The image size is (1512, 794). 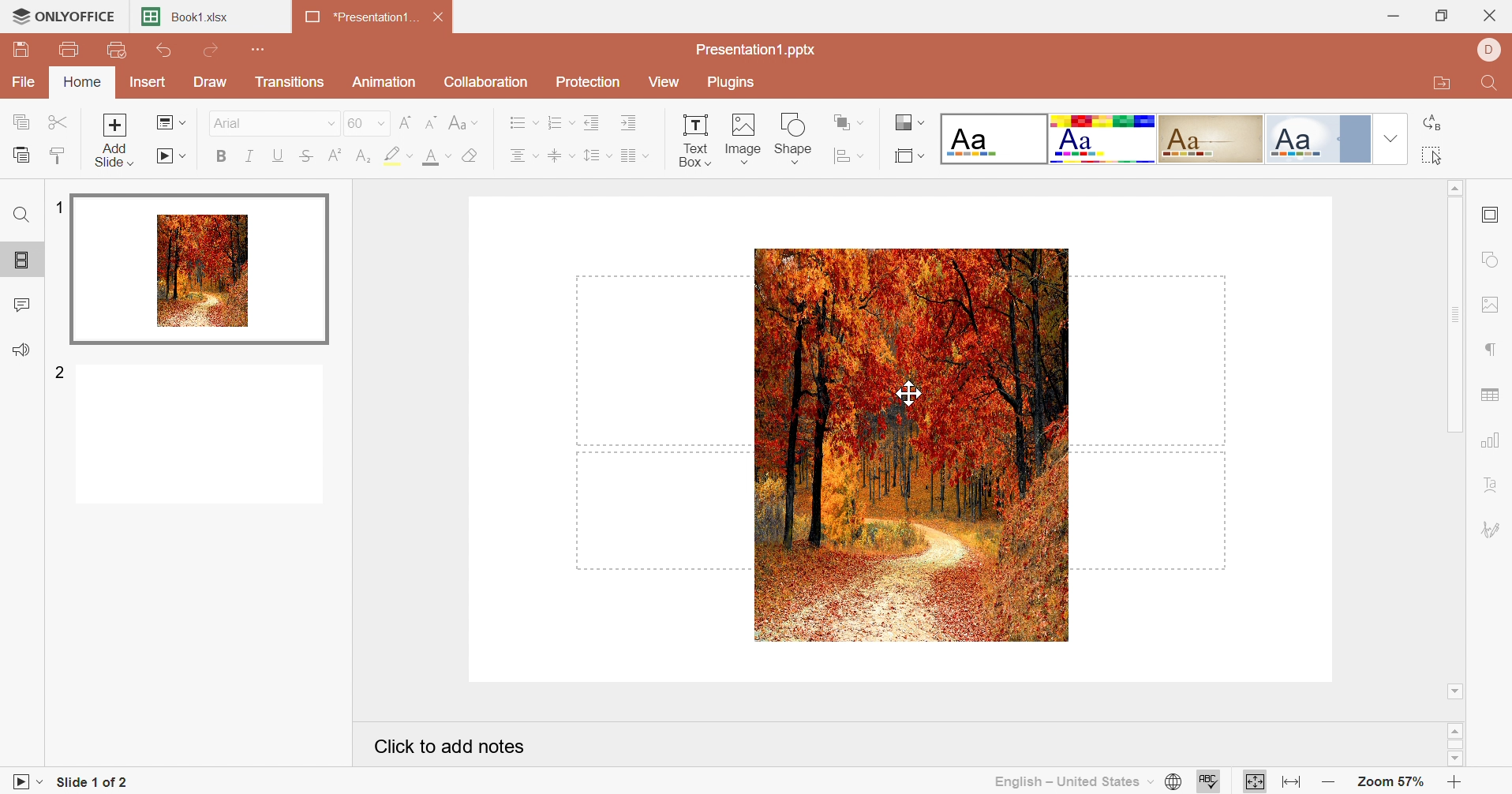 I want to click on DELL, so click(x=1489, y=51).